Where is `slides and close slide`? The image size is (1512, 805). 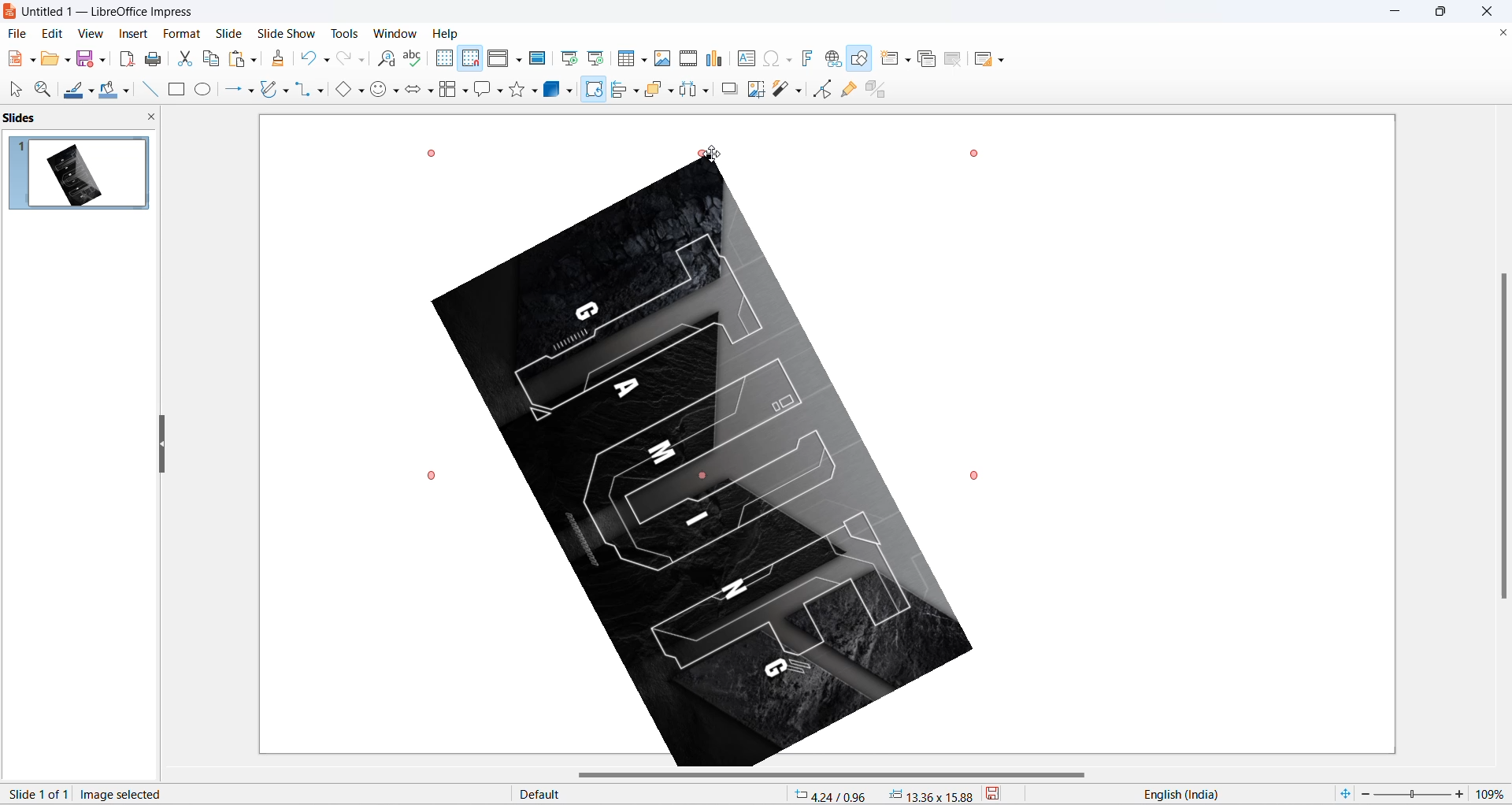
slides and close slide is located at coordinates (83, 118).